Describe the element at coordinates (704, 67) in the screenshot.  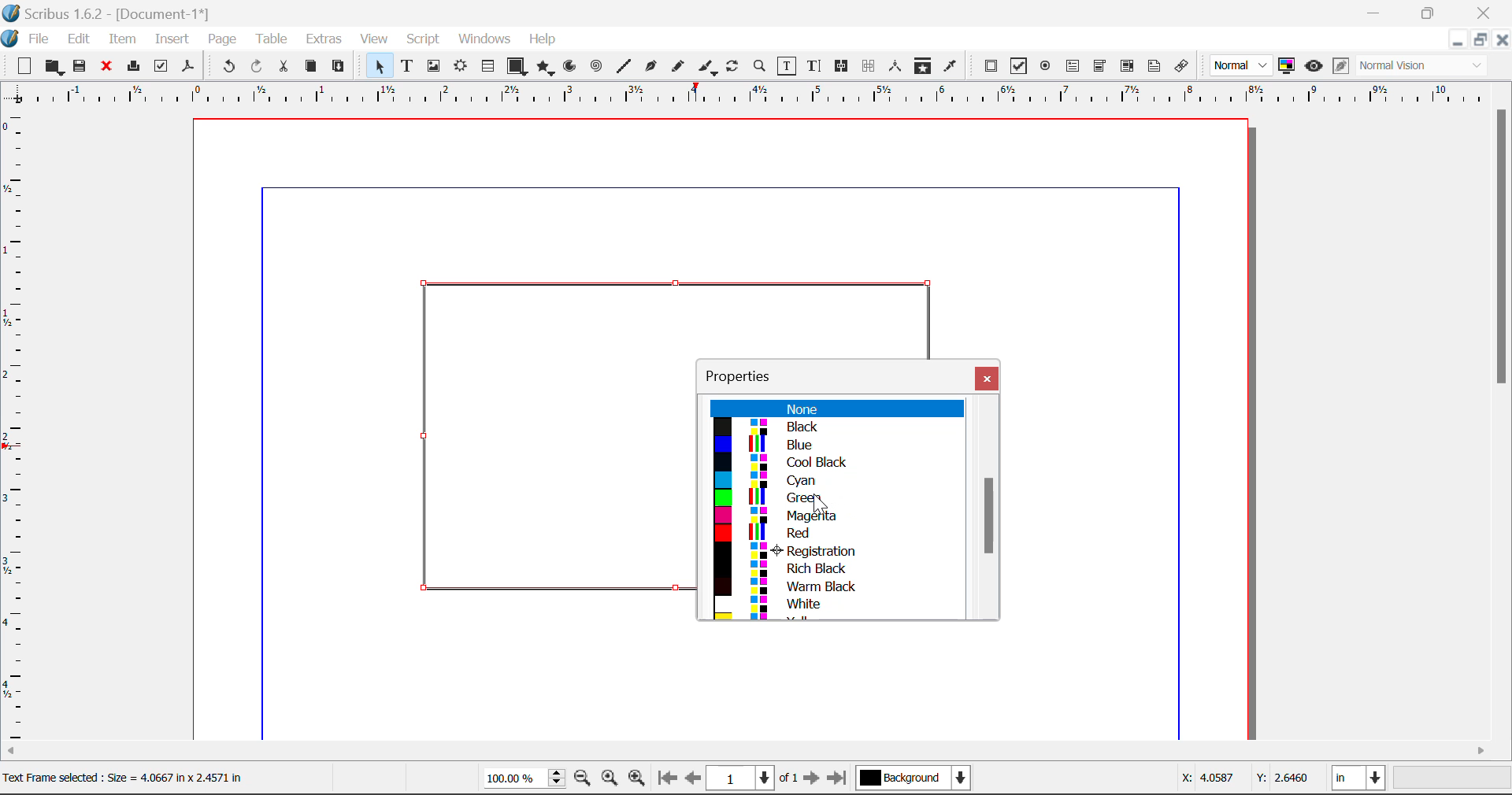
I see `Calligraphic Line` at that location.